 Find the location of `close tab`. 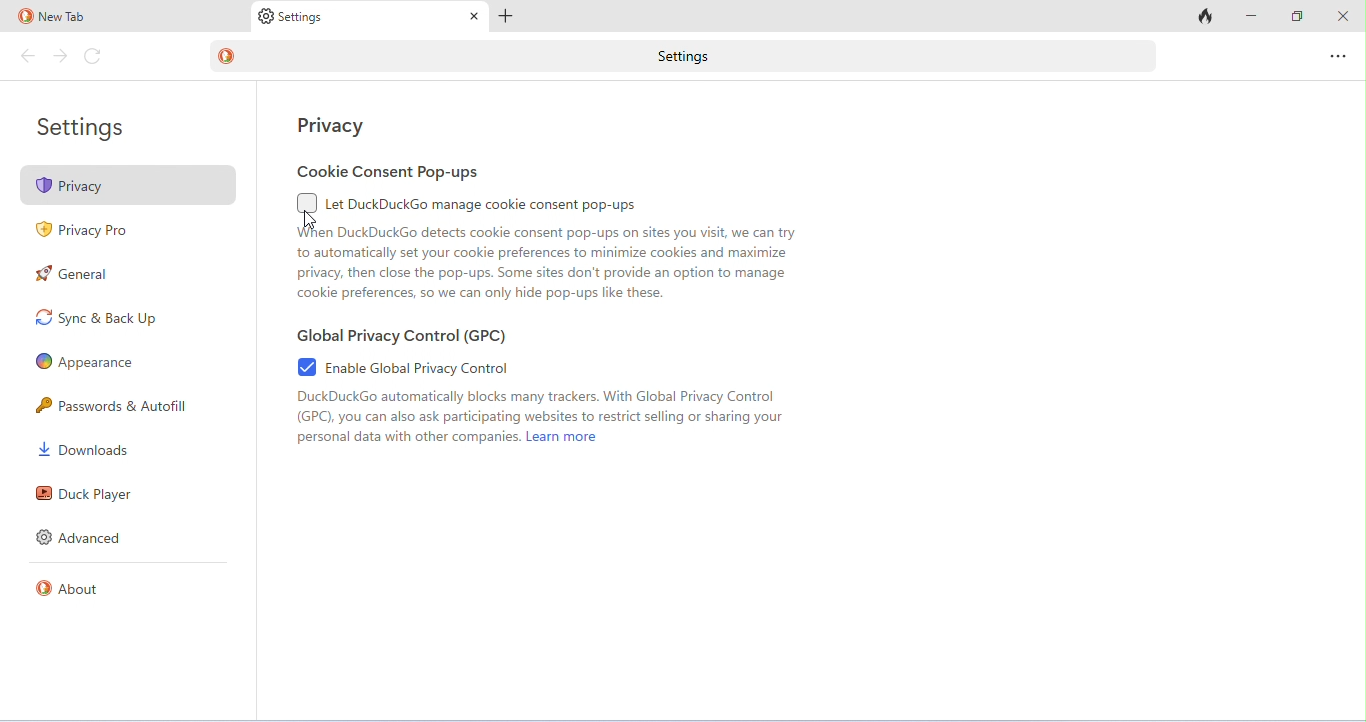

close tab is located at coordinates (475, 17).